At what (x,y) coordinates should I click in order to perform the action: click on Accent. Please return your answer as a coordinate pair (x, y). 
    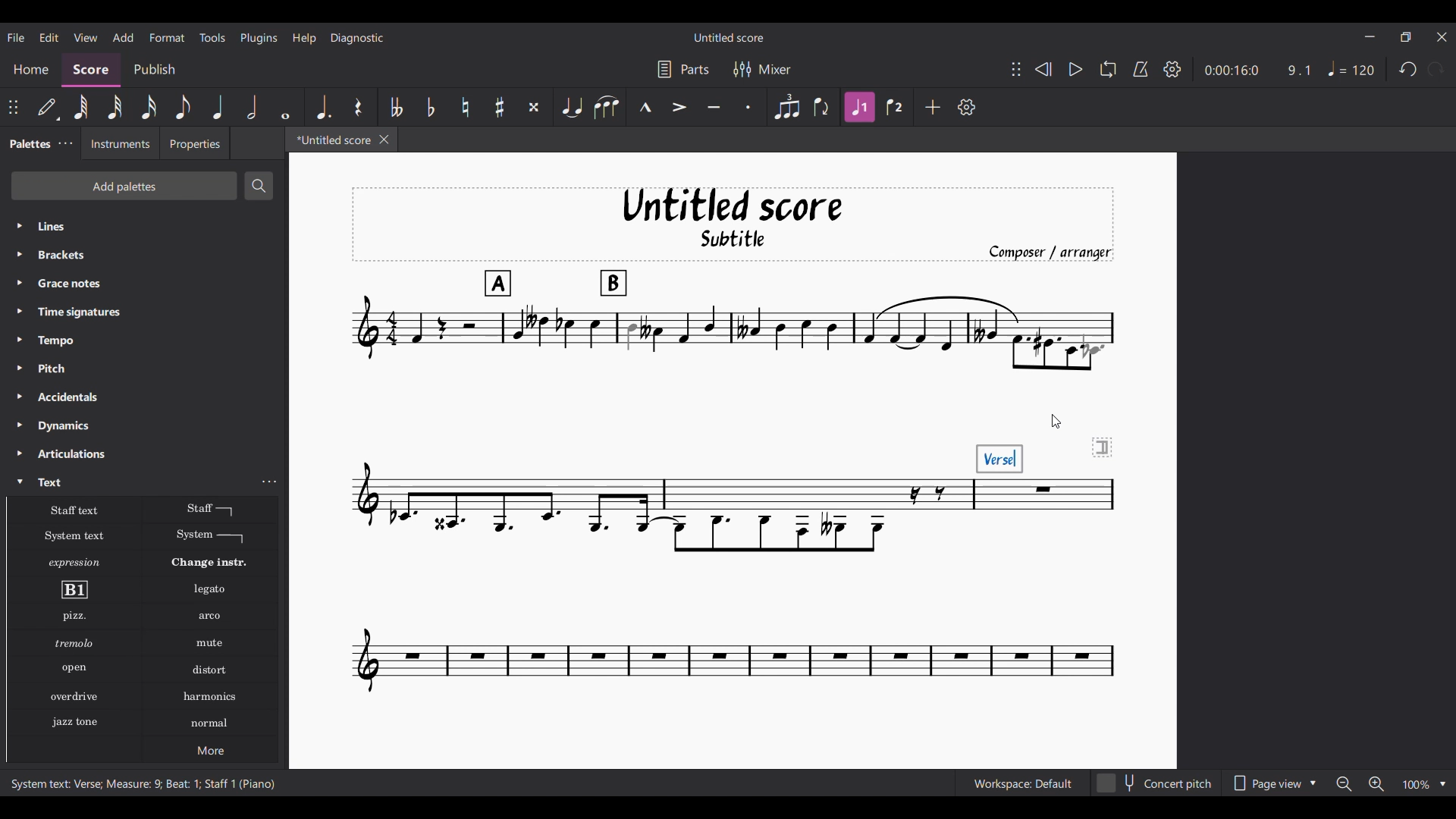
    Looking at the image, I should click on (679, 107).